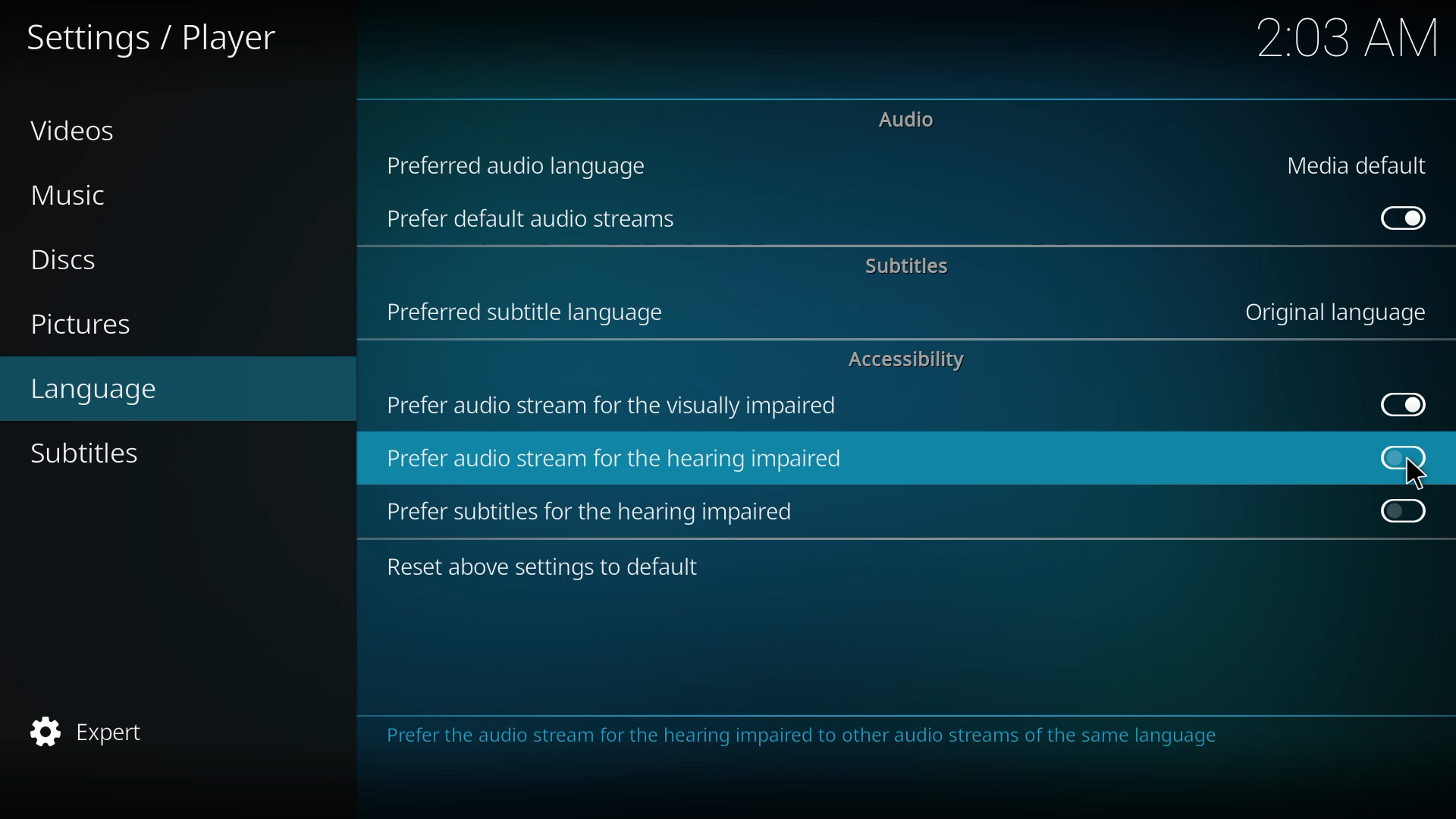  I want to click on media default, so click(1359, 167).